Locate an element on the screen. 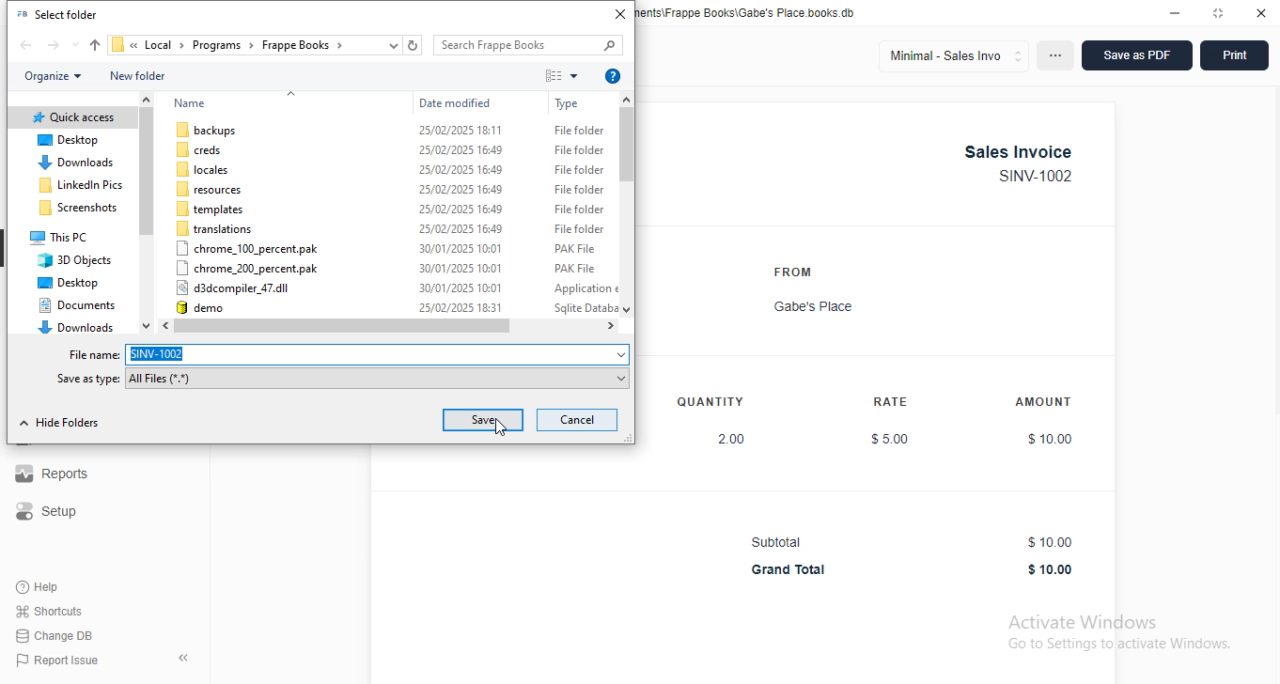 The height and width of the screenshot is (684, 1280). Gabe's Place - C:\Users\user\Documents\Frappe Books\Gabe's Place.books db is located at coordinates (747, 13).